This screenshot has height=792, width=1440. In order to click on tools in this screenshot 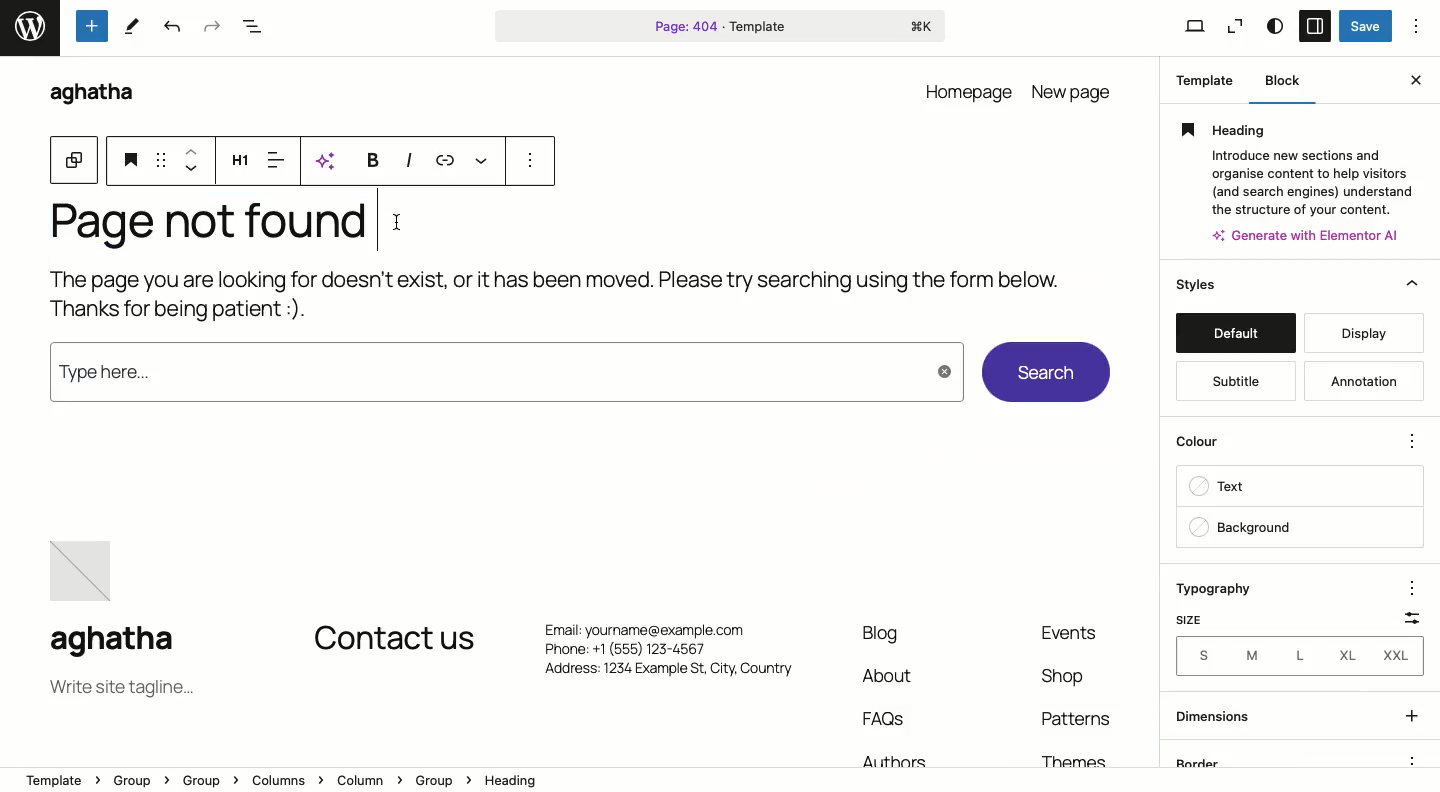, I will do `click(137, 25)`.